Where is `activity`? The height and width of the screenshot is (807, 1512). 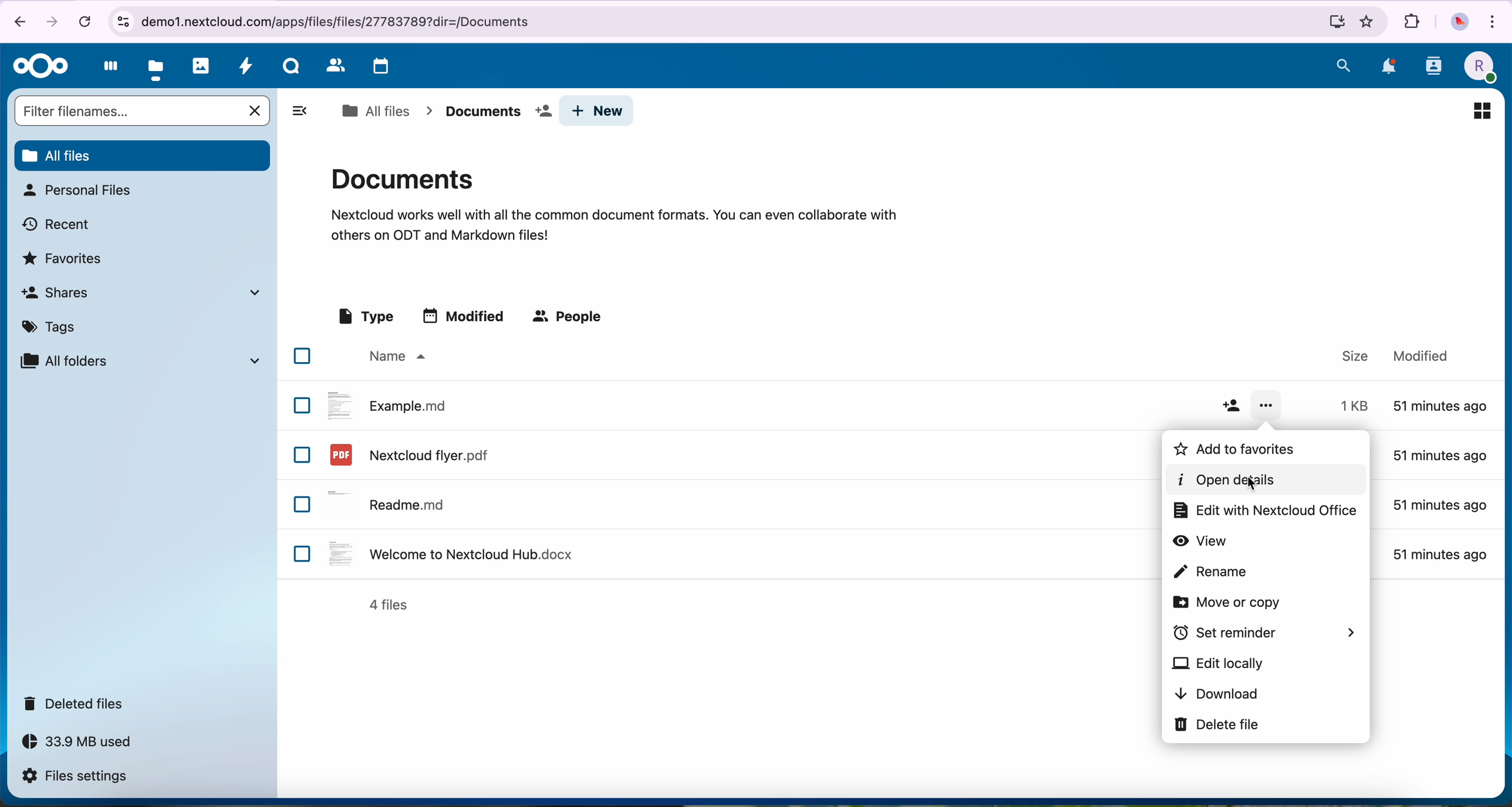 activity is located at coordinates (247, 69).